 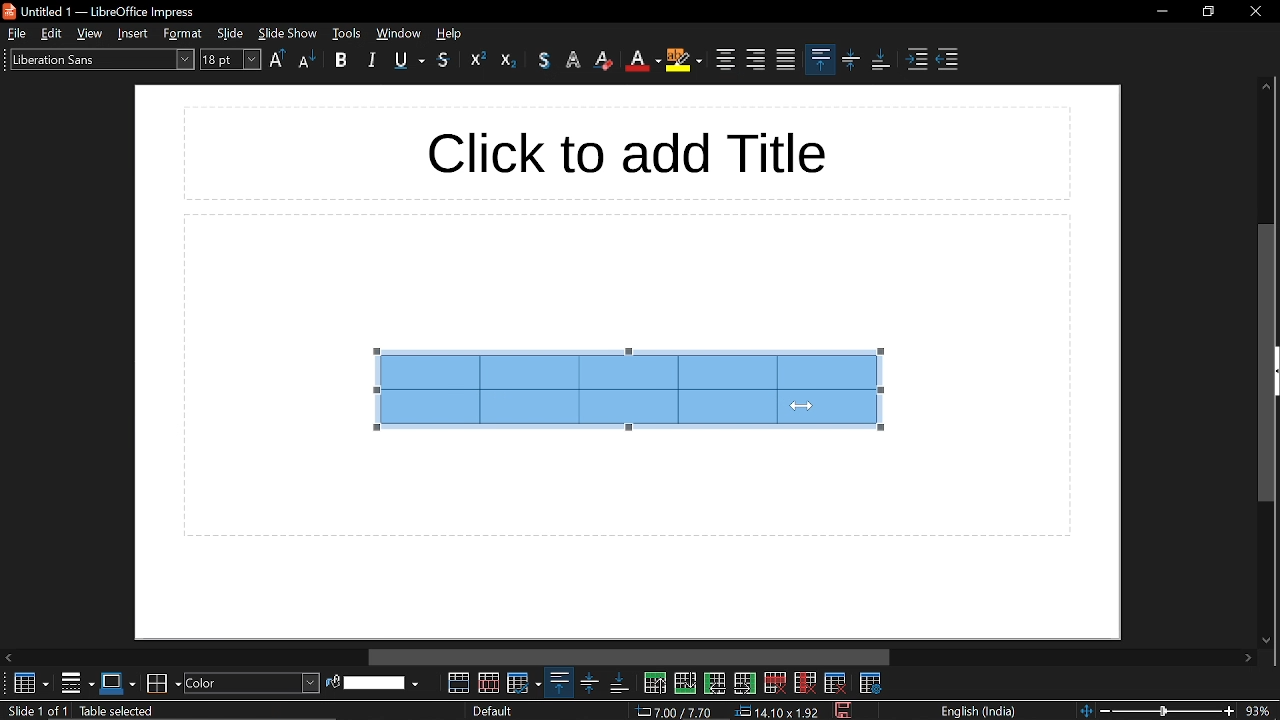 What do you see at coordinates (494, 711) in the screenshot?
I see `slide style` at bounding box center [494, 711].